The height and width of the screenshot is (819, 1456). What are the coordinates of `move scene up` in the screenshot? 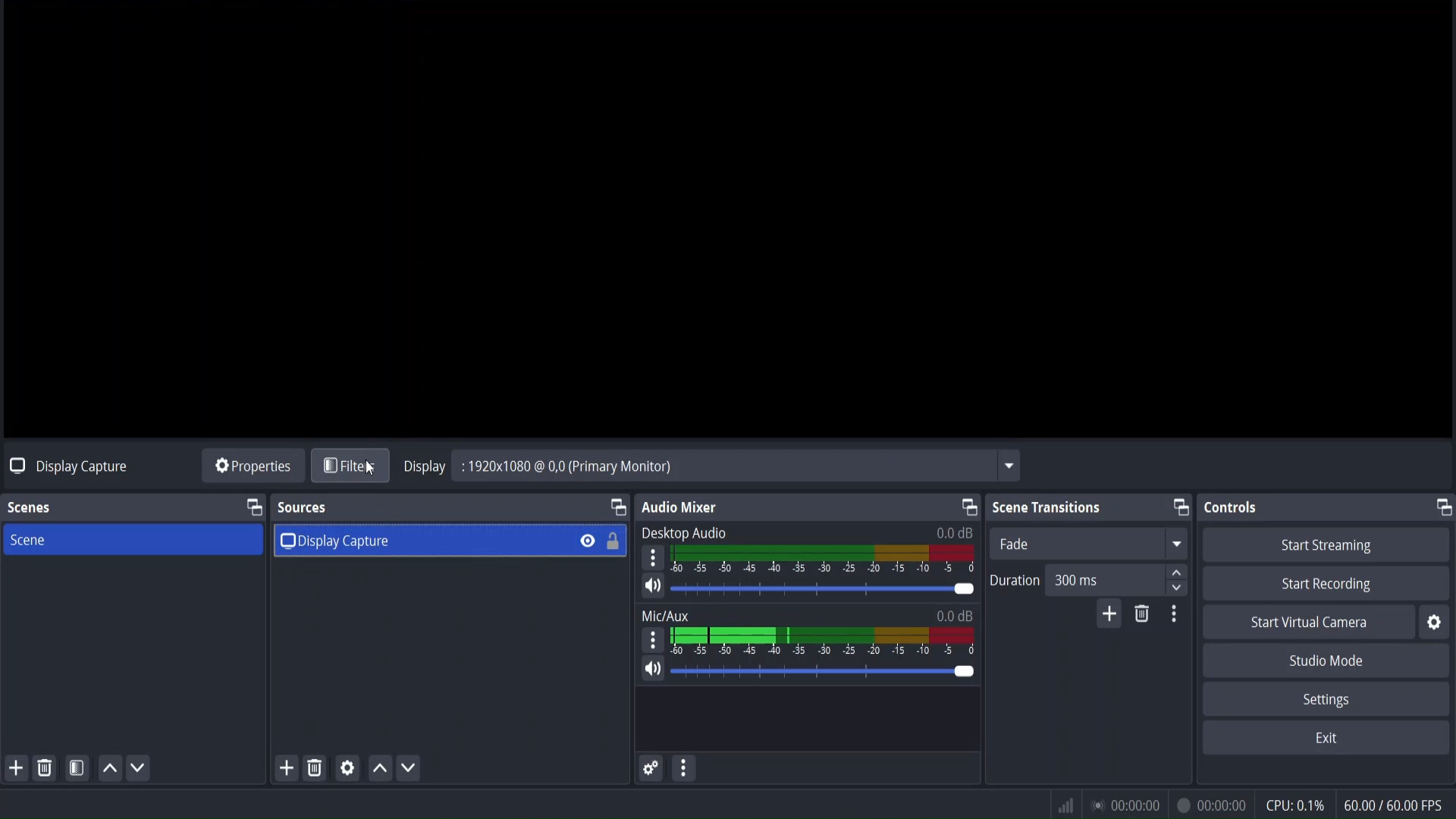 It's located at (108, 772).